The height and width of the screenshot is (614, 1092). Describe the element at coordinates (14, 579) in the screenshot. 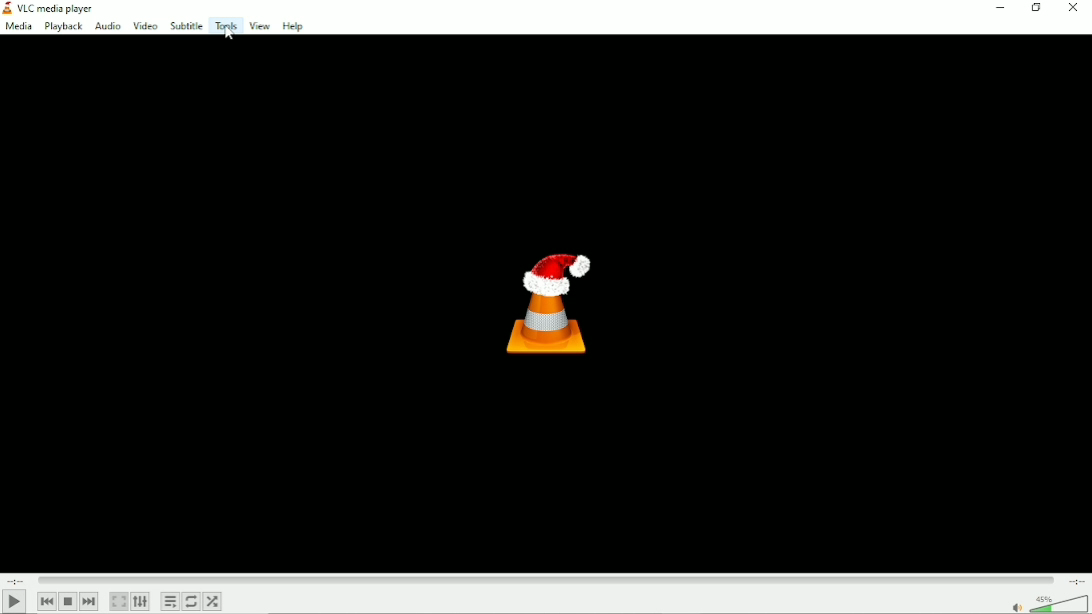

I see `Elapsed time` at that location.